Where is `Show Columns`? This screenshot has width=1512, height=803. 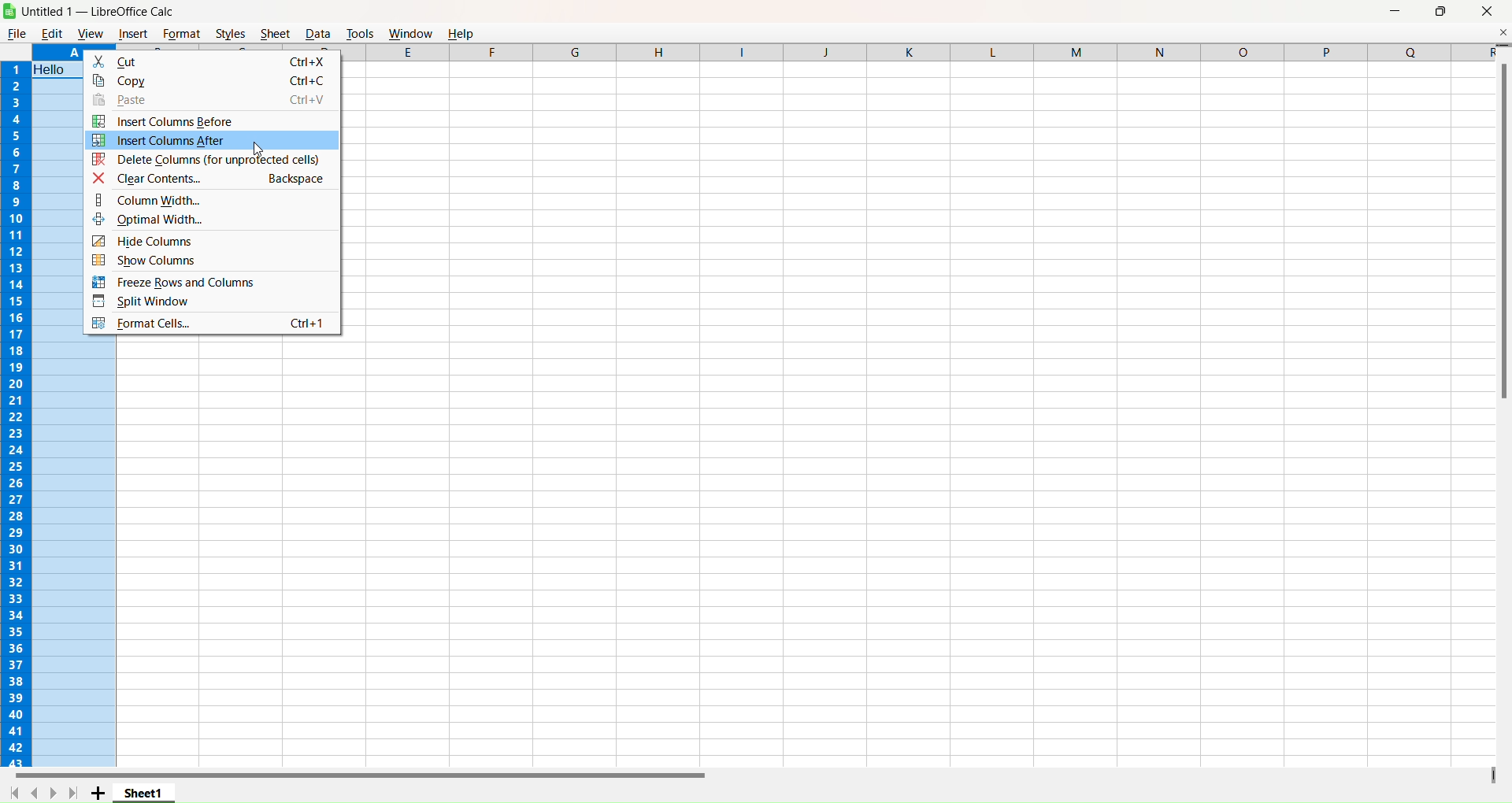 Show Columns is located at coordinates (206, 259).